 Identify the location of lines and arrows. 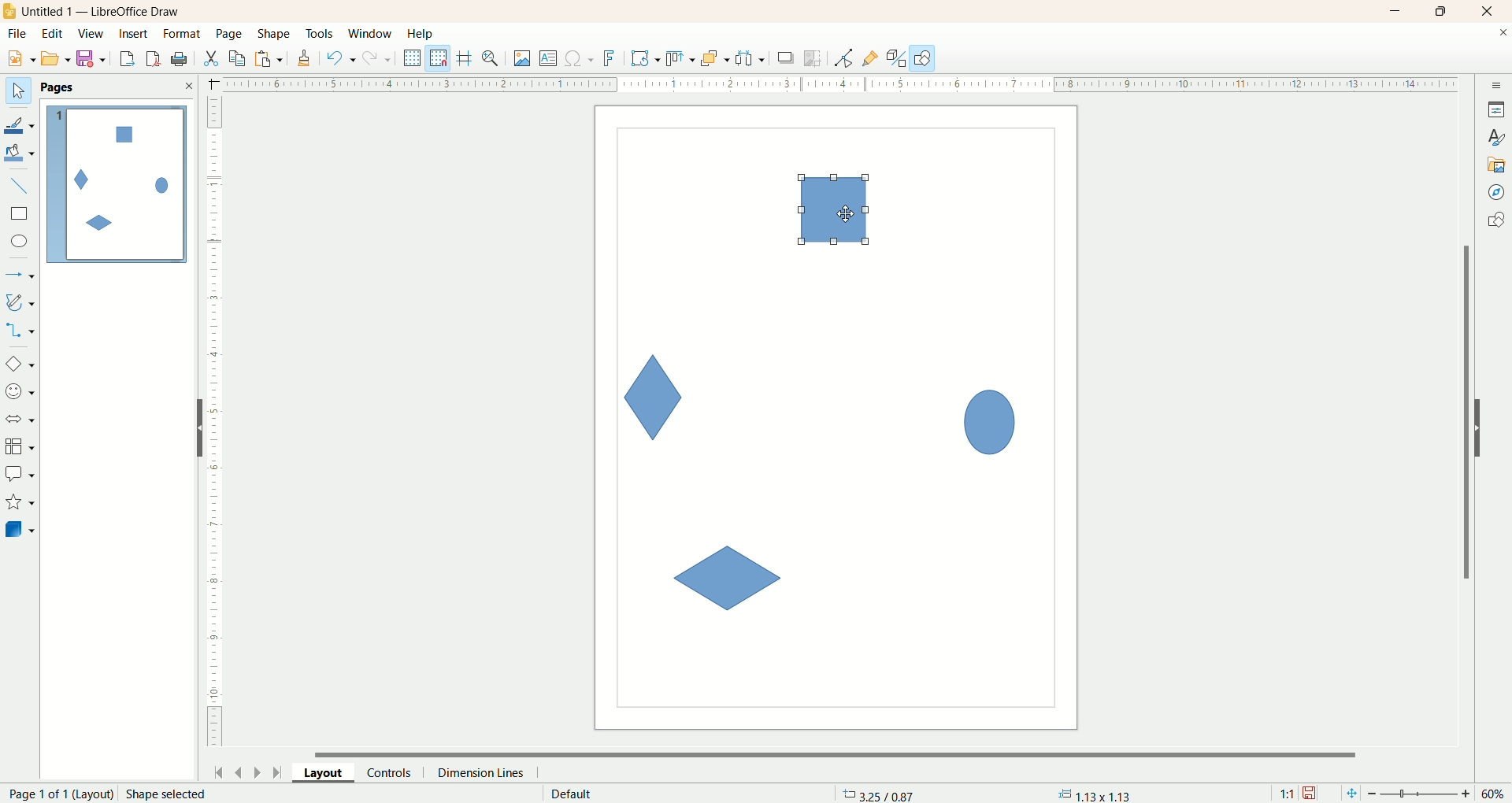
(21, 276).